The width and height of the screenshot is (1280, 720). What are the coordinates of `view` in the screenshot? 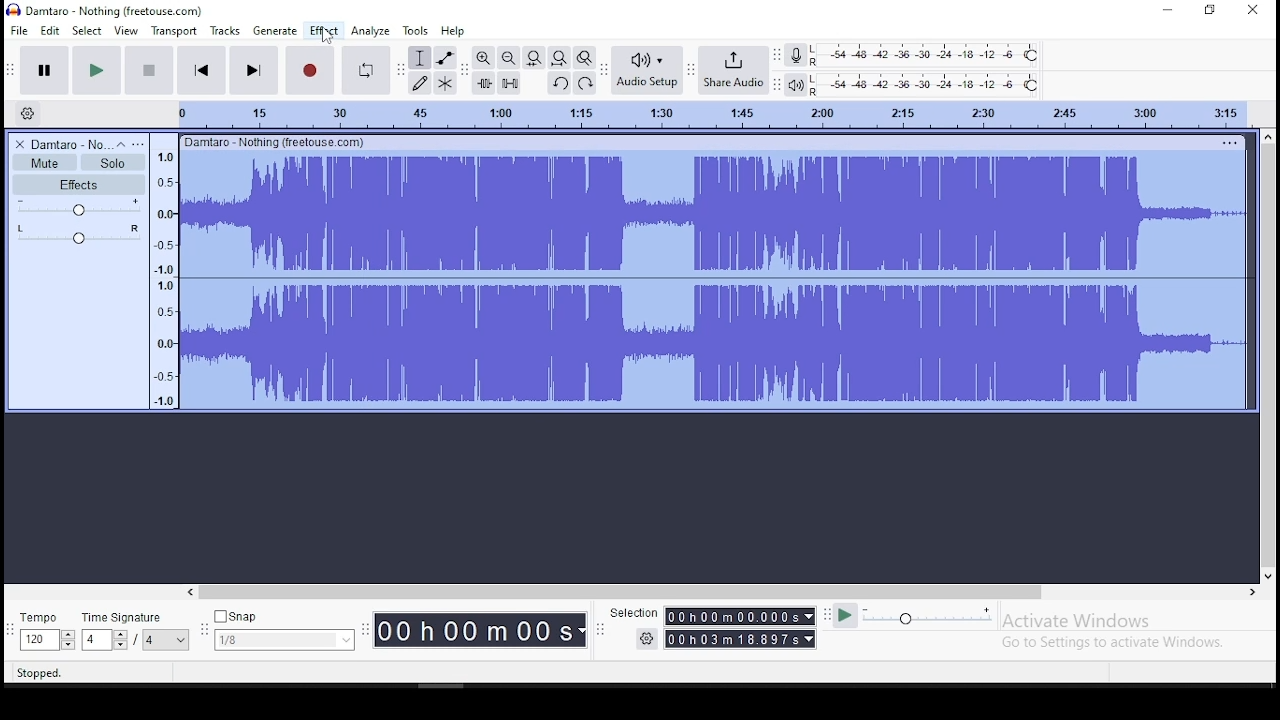 It's located at (126, 30).